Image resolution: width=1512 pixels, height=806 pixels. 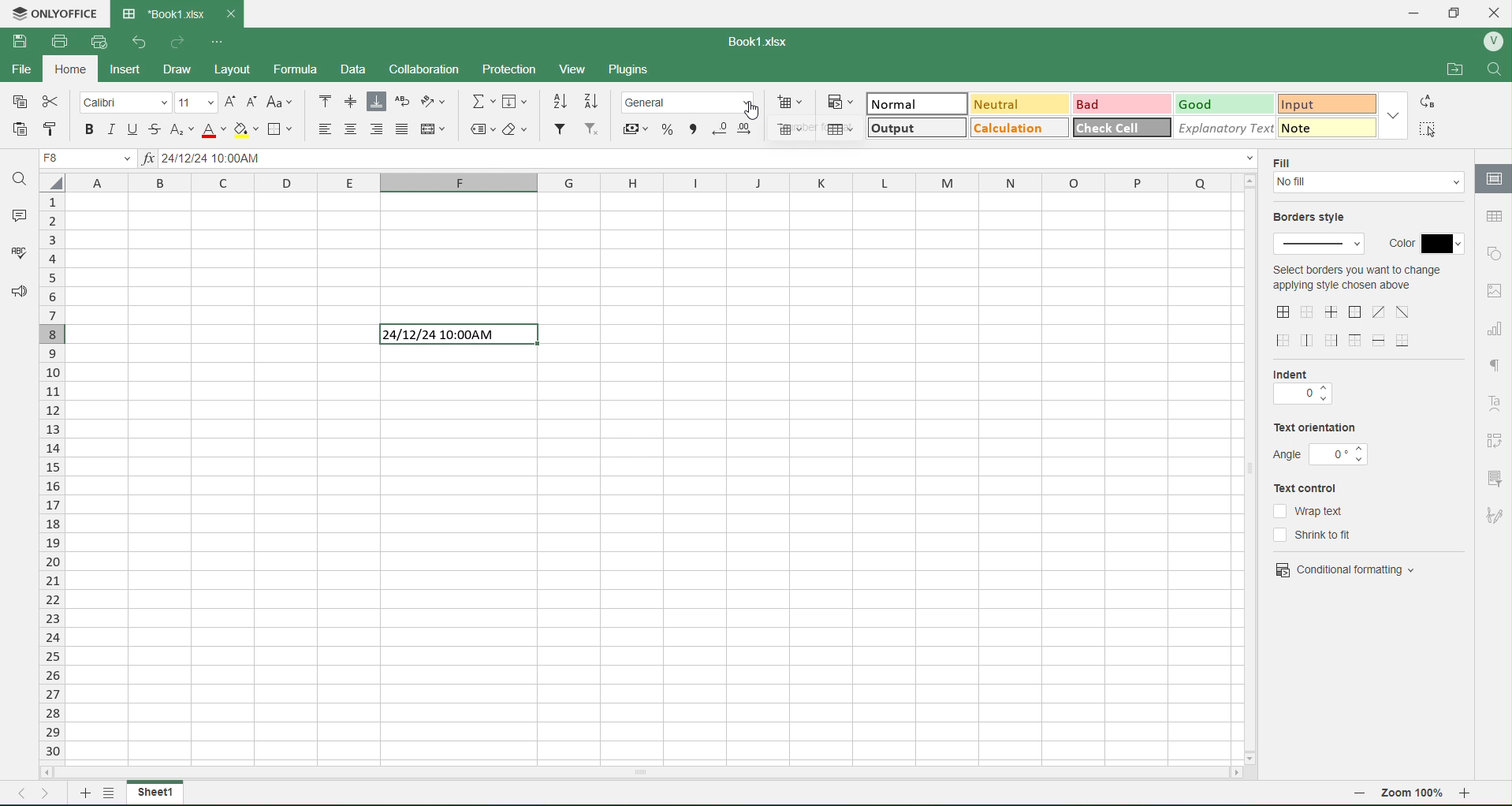 What do you see at coordinates (1379, 312) in the screenshot?
I see `center` at bounding box center [1379, 312].